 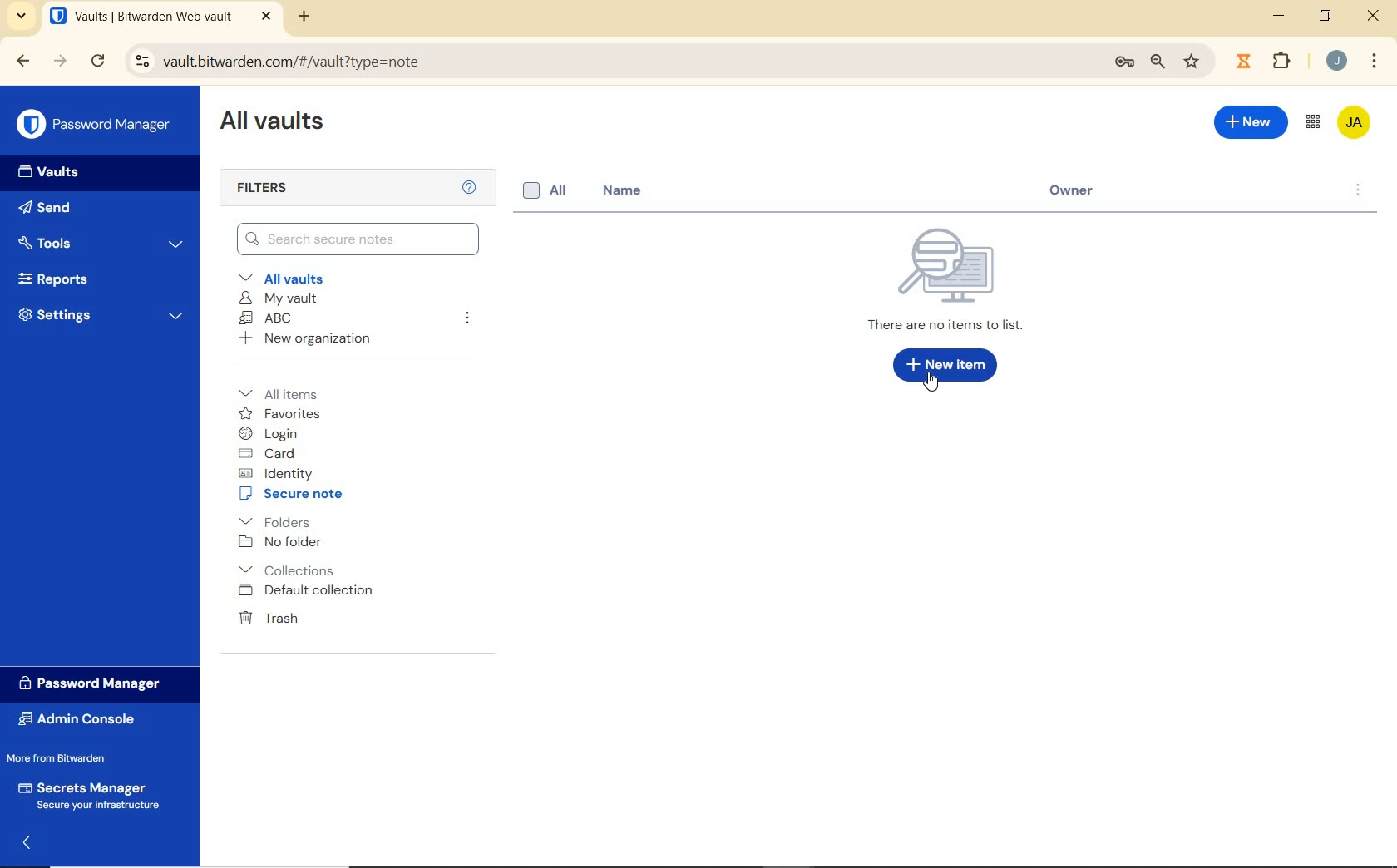 I want to click on Plugins, so click(x=1285, y=59).